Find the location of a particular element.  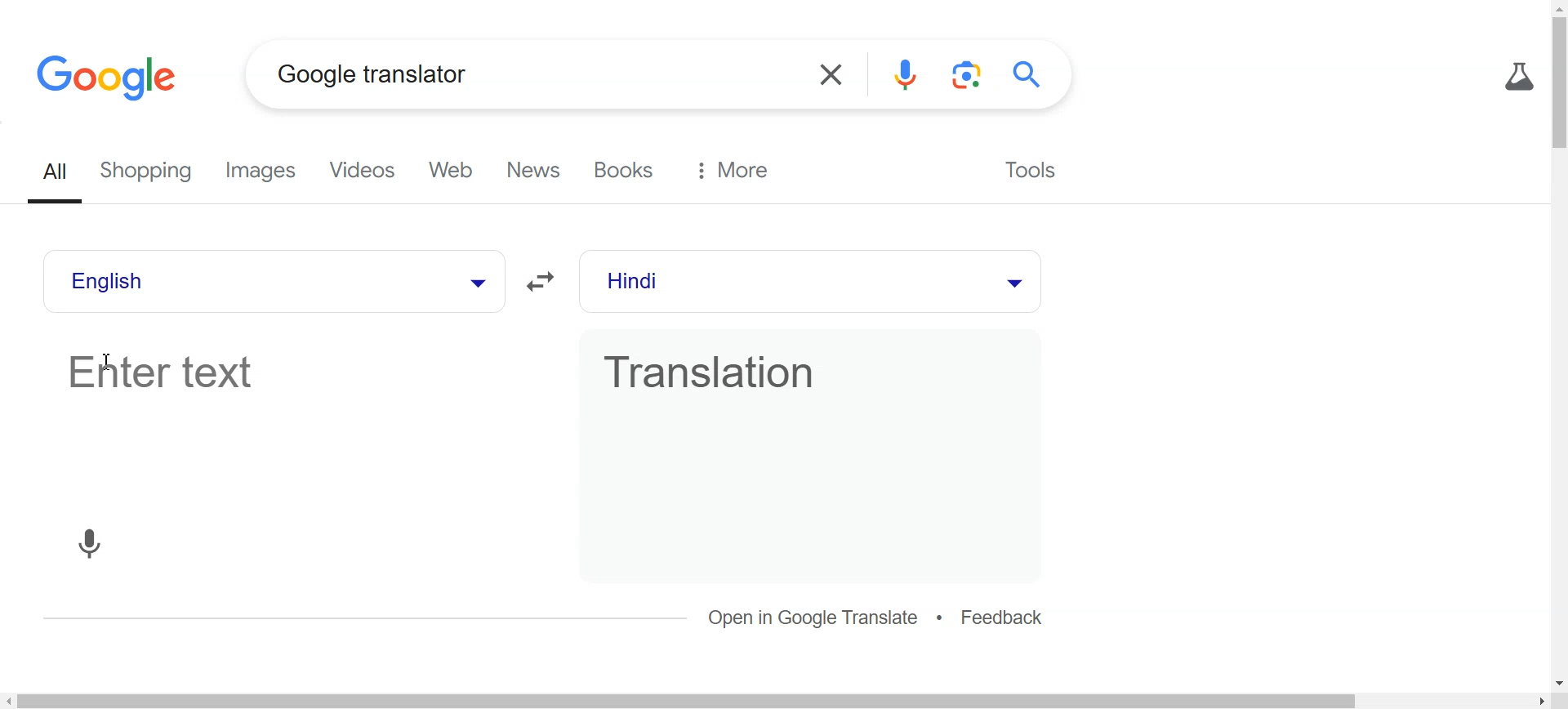

Shopping is located at coordinates (152, 172).